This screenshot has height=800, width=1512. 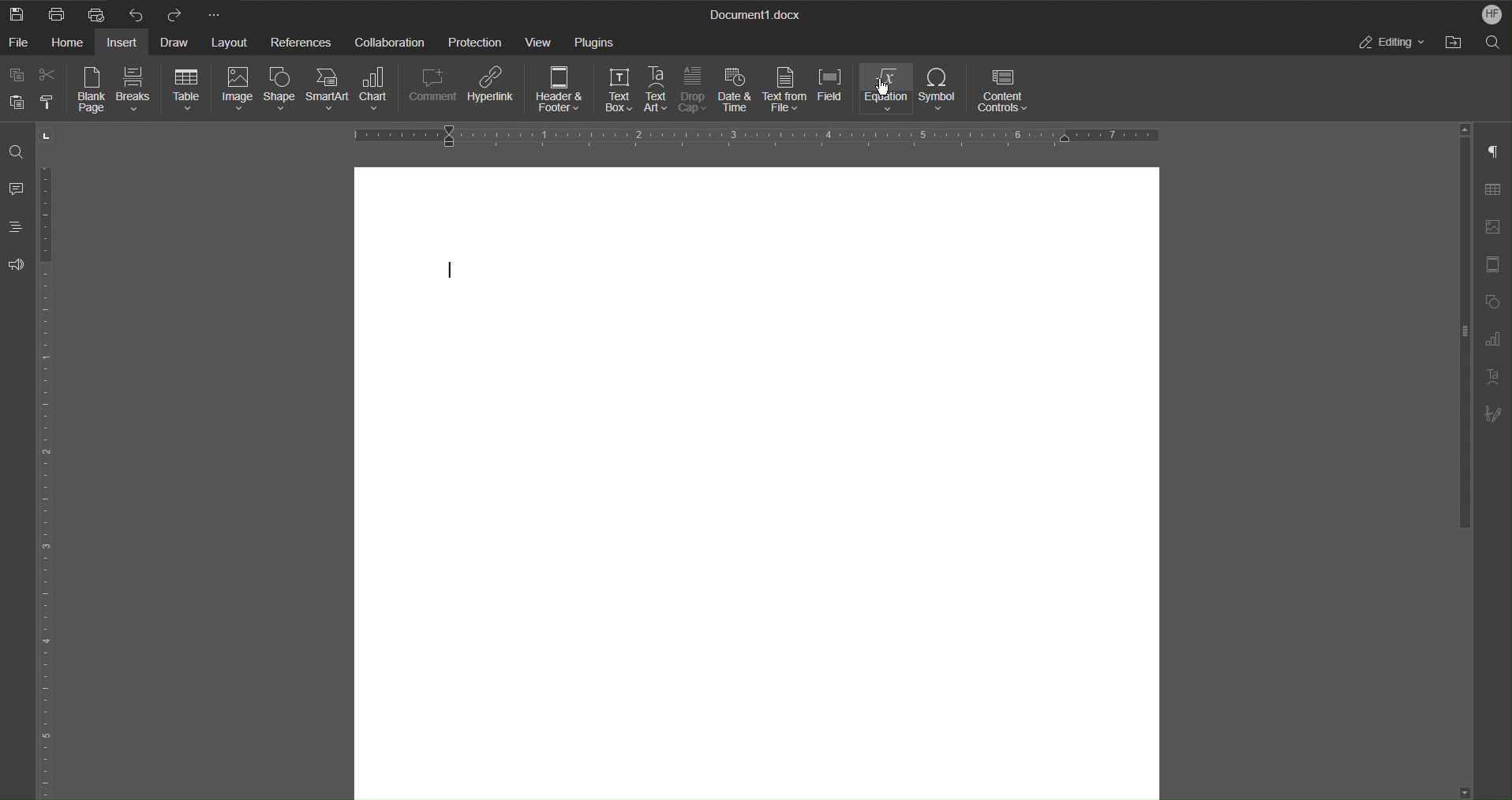 What do you see at coordinates (17, 152) in the screenshot?
I see `Find` at bounding box center [17, 152].